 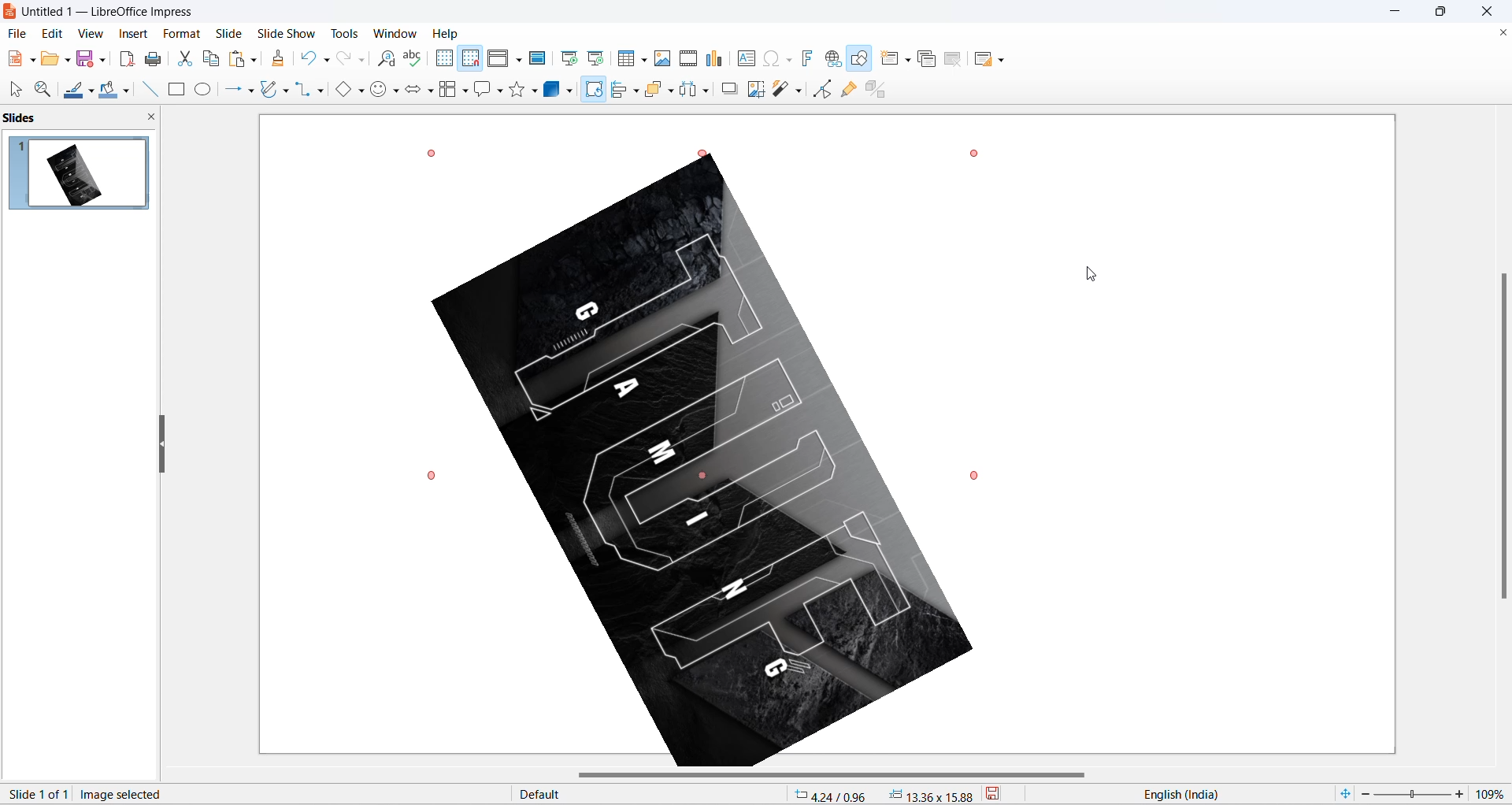 I want to click on display grid, so click(x=443, y=57).